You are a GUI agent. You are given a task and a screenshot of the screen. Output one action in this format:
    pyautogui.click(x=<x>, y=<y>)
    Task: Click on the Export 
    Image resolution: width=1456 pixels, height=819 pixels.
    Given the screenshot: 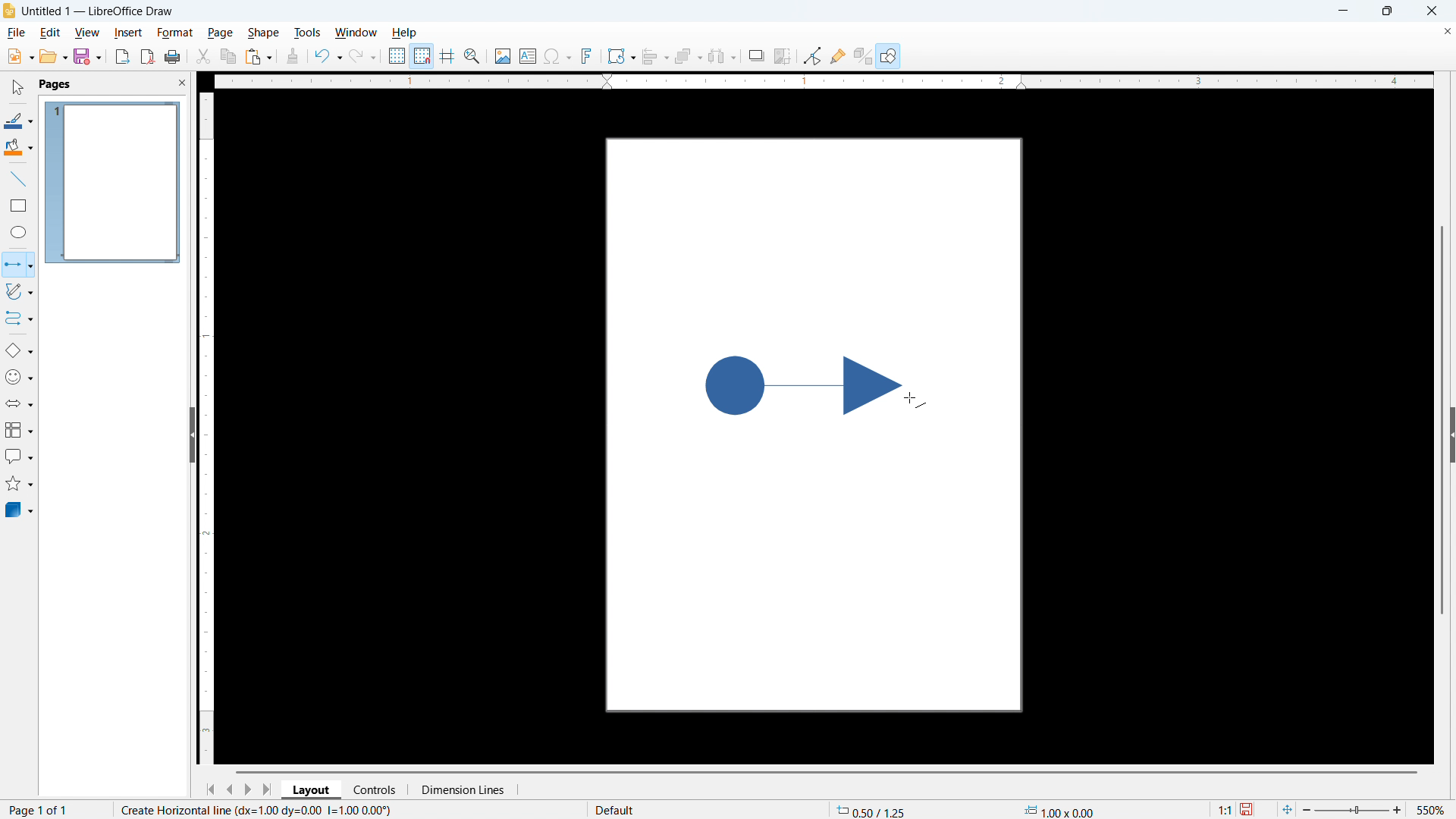 What is the action you would take?
    pyautogui.click(x=123, y=57)
    